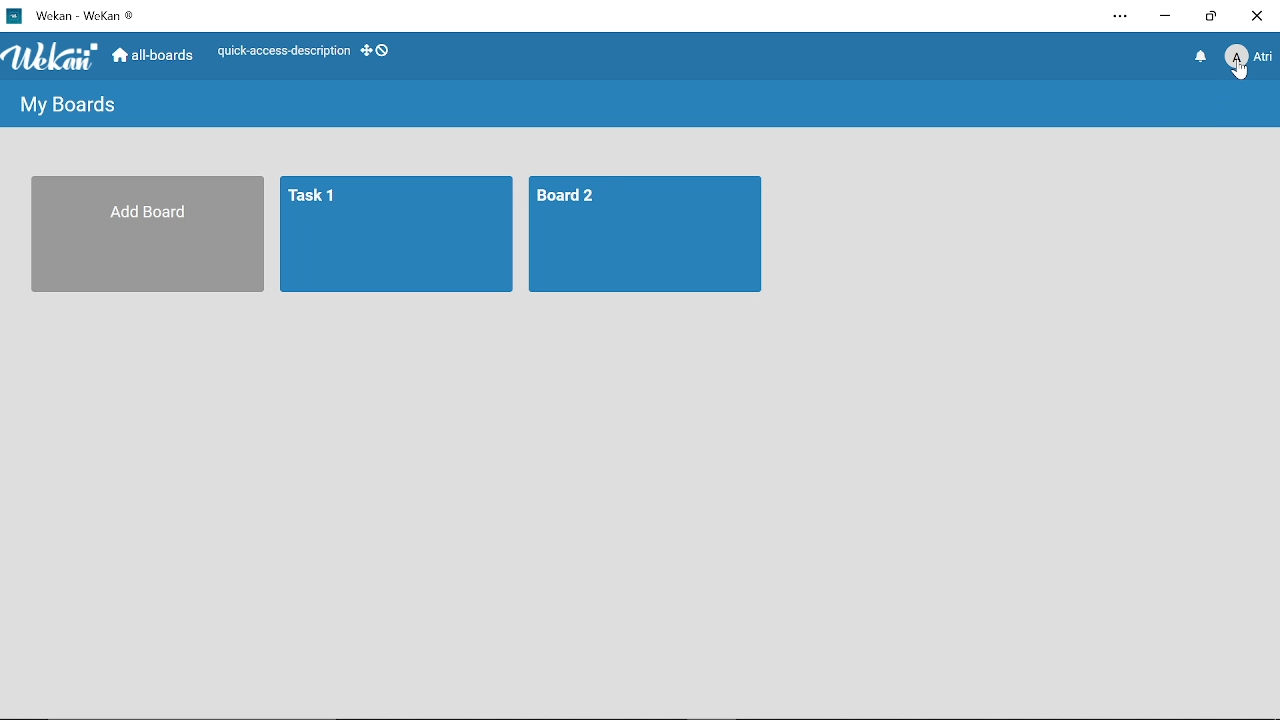 The width and height of the screenshot is (1280, 720). I want to click on Profile name, so click(1248, 61).